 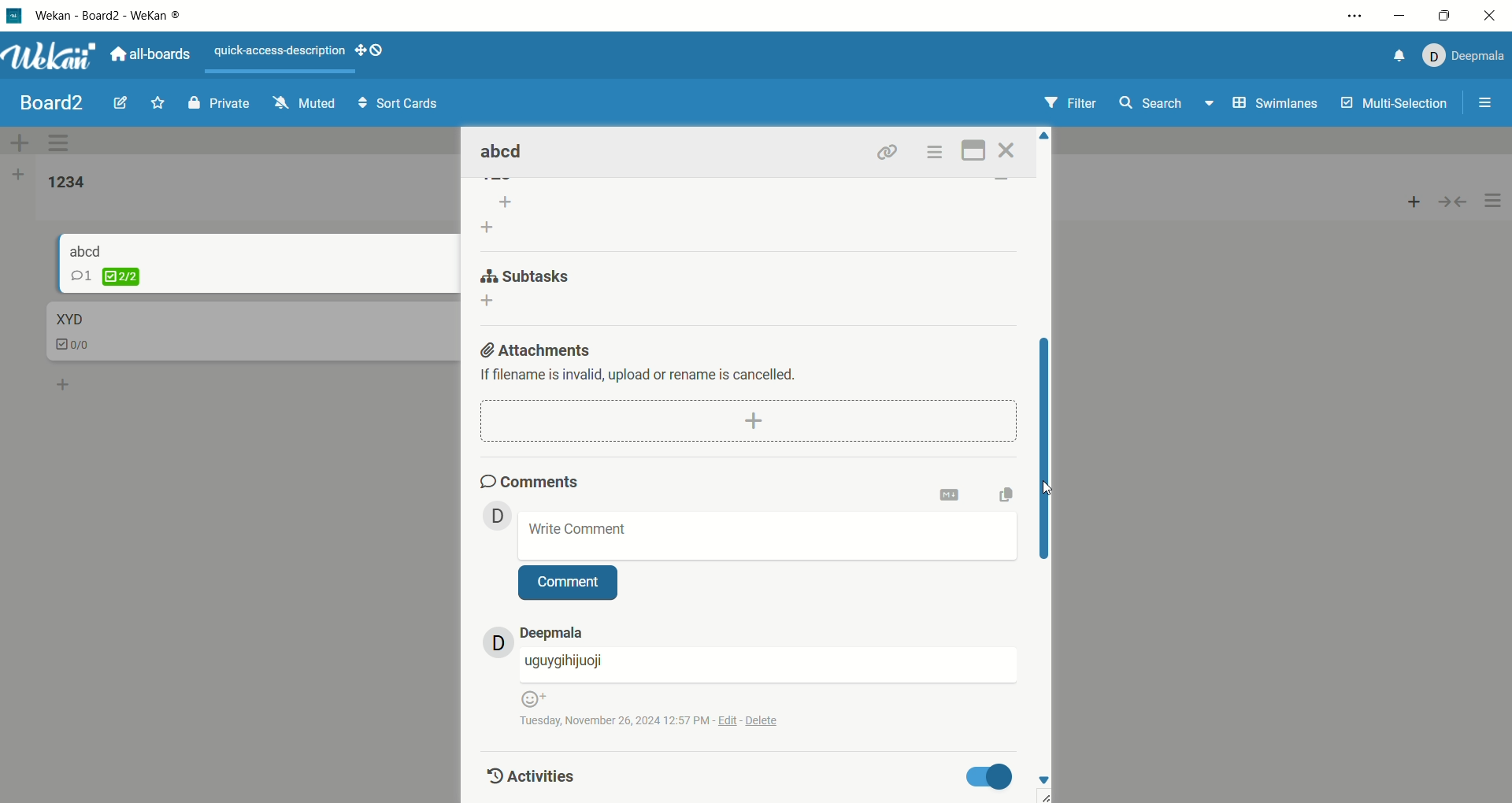 I want to click on options, so click(x=934, y=152).